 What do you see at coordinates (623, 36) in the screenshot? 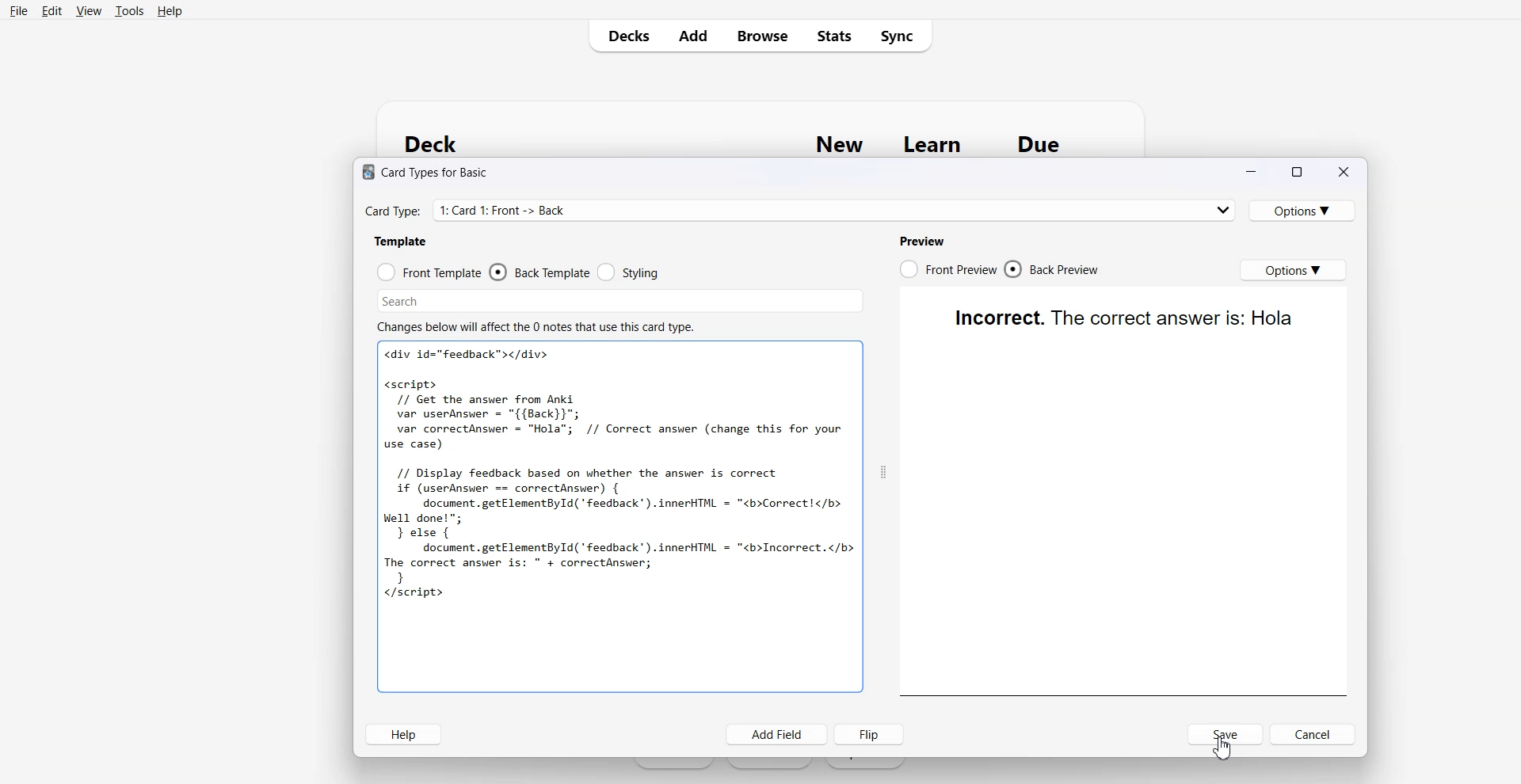
I see `Decks` at bounding box center [623, 36].